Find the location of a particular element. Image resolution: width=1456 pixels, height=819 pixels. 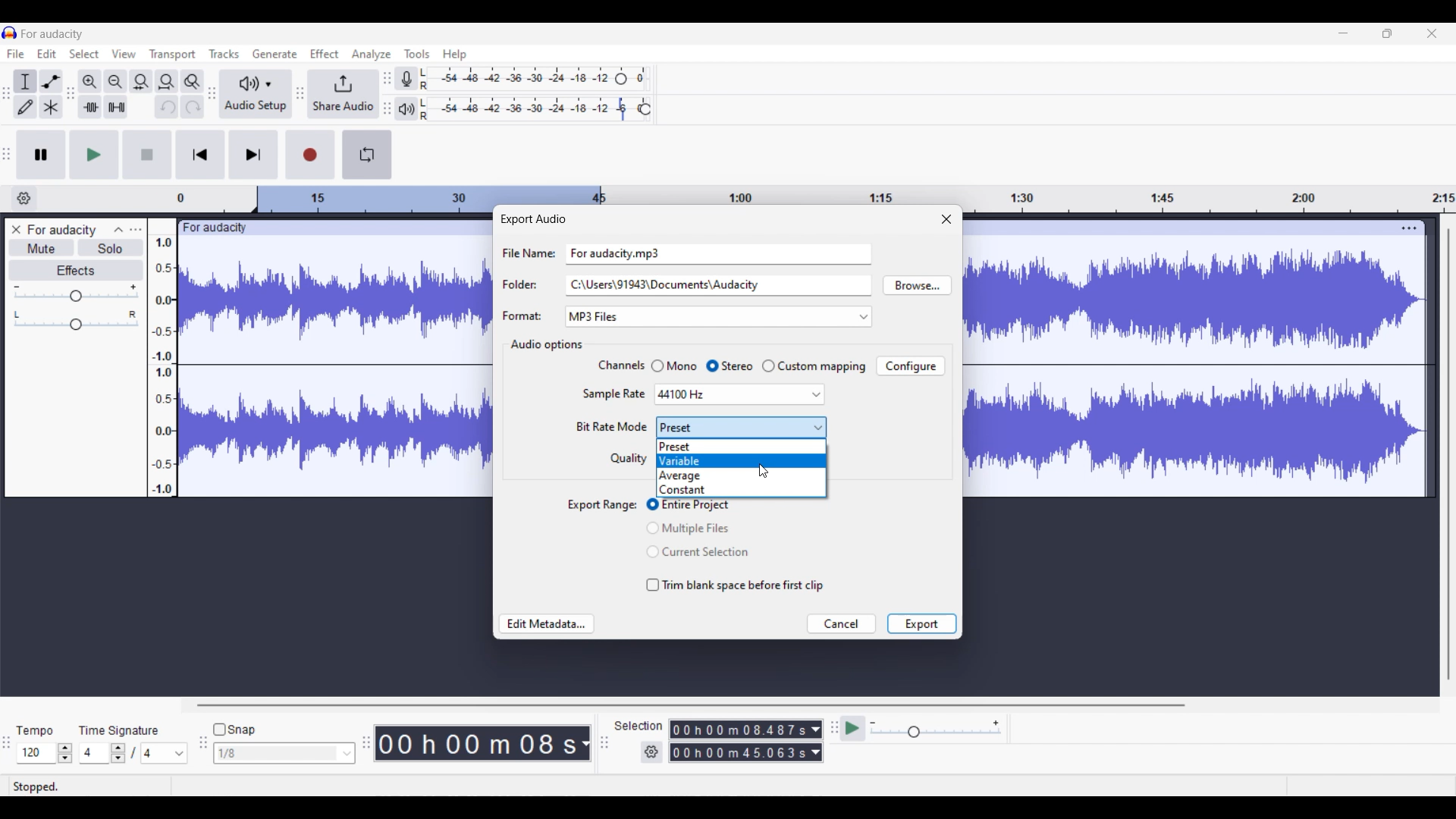

Header to change recording level is located at coordinates (621, 79).